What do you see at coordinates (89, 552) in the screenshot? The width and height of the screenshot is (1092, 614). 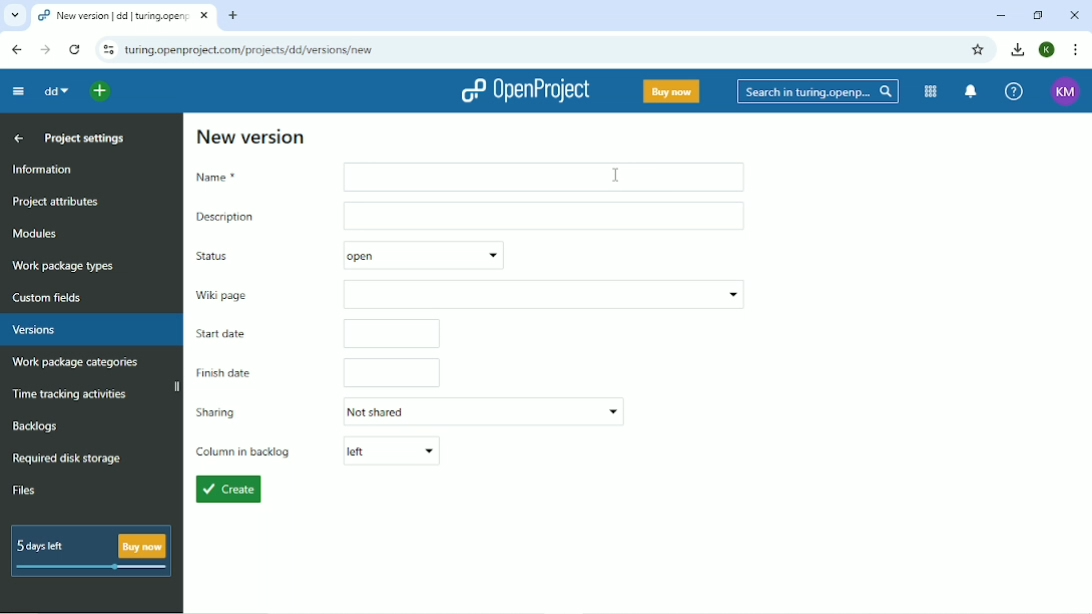 I see `5 days left` at bounding box center [89, 552].